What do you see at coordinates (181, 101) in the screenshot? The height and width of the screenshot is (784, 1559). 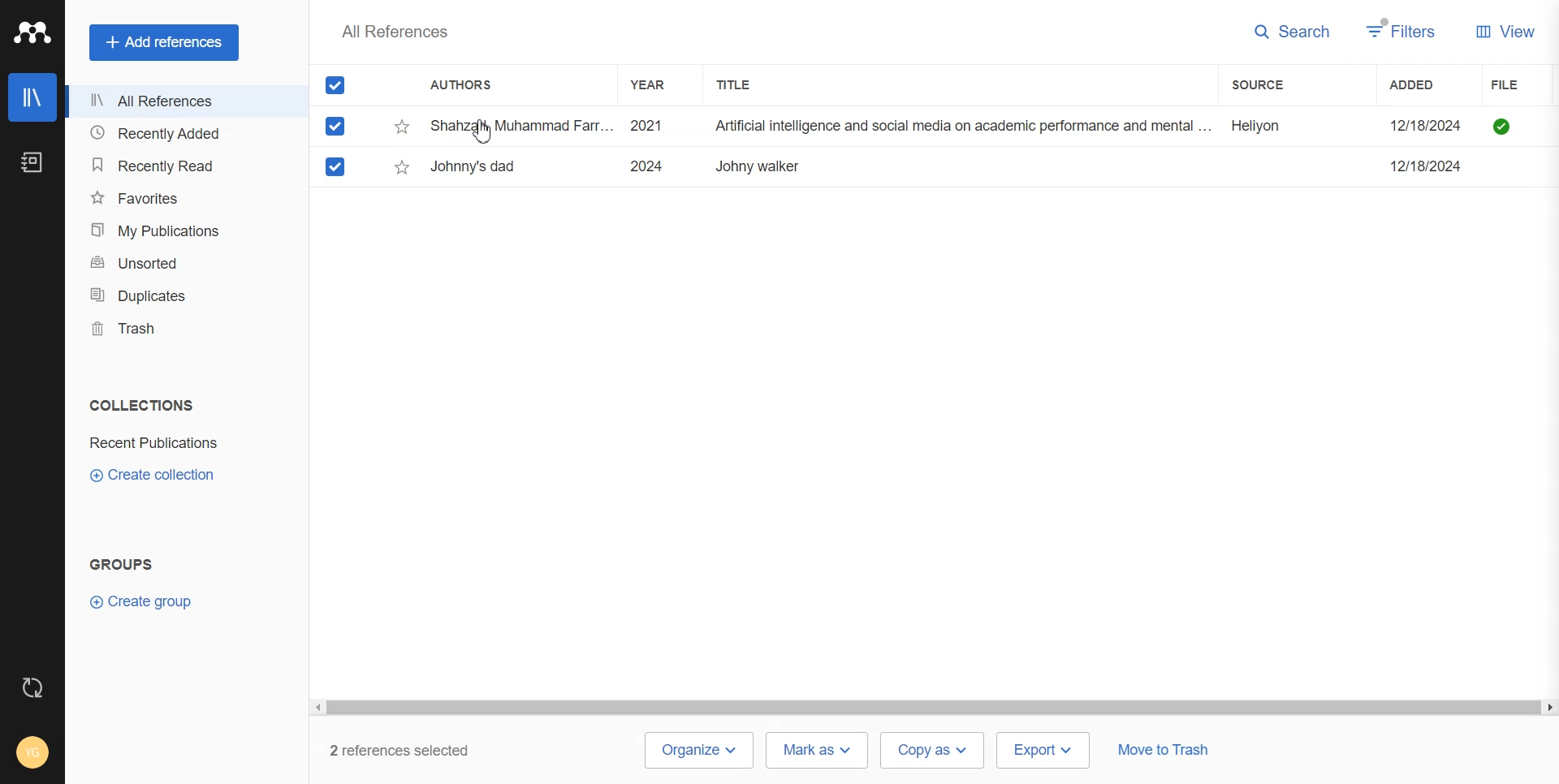 I see `All References` at bounding box center [181, 101].